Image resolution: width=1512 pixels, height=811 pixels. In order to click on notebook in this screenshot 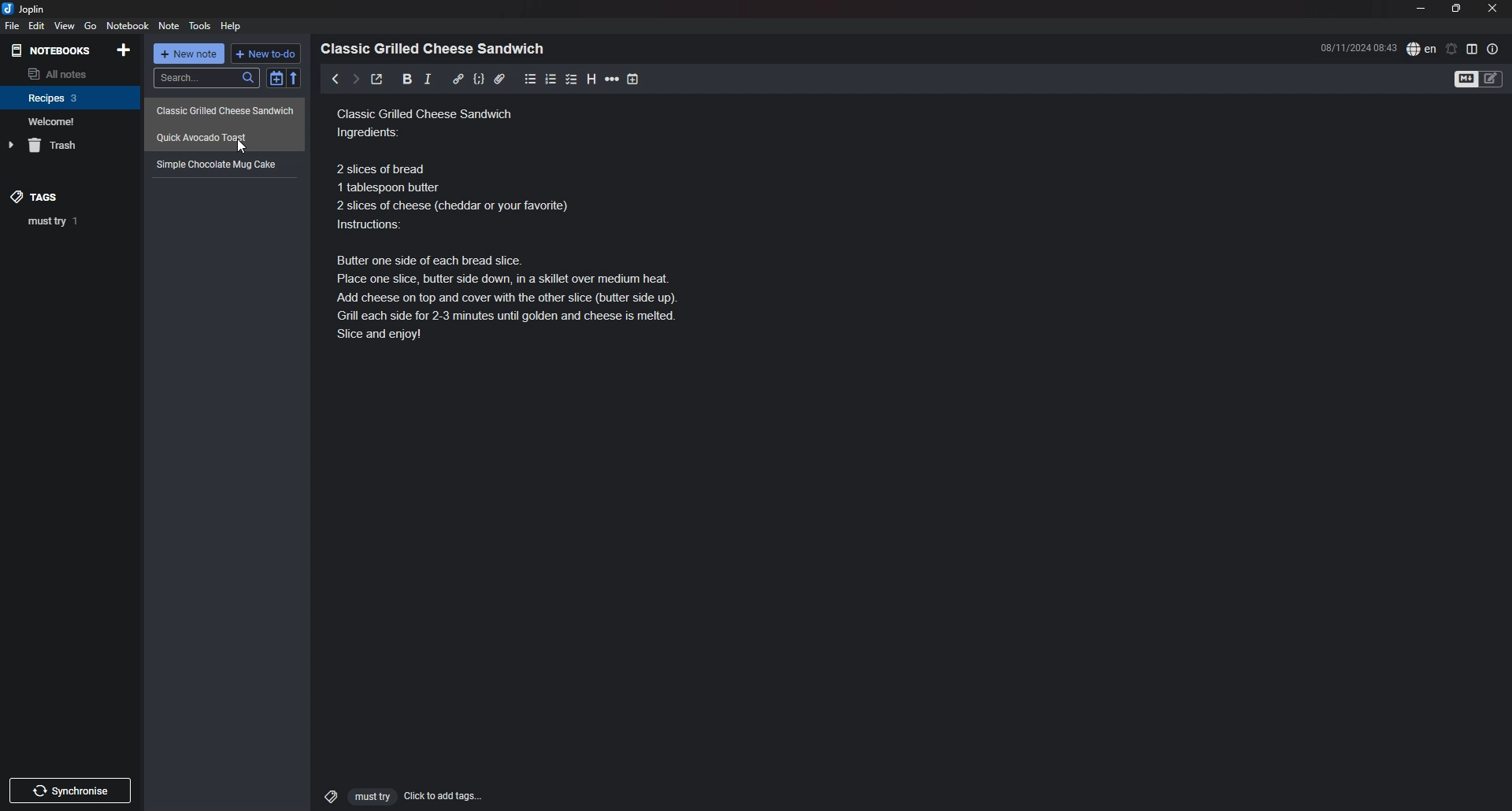, I will do `click(129, 25)`.